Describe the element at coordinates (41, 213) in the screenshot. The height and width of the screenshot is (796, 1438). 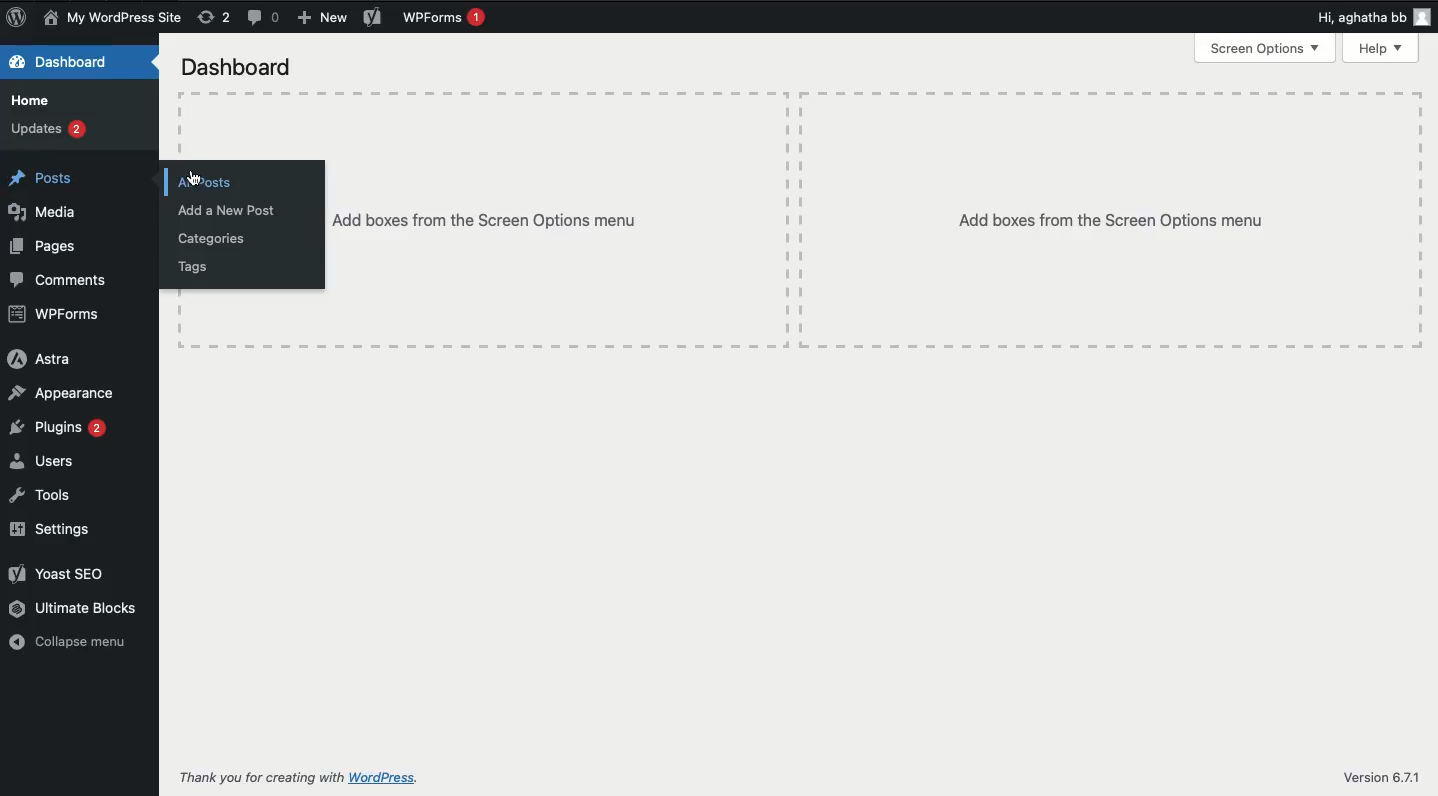
I see `Media` at that location.